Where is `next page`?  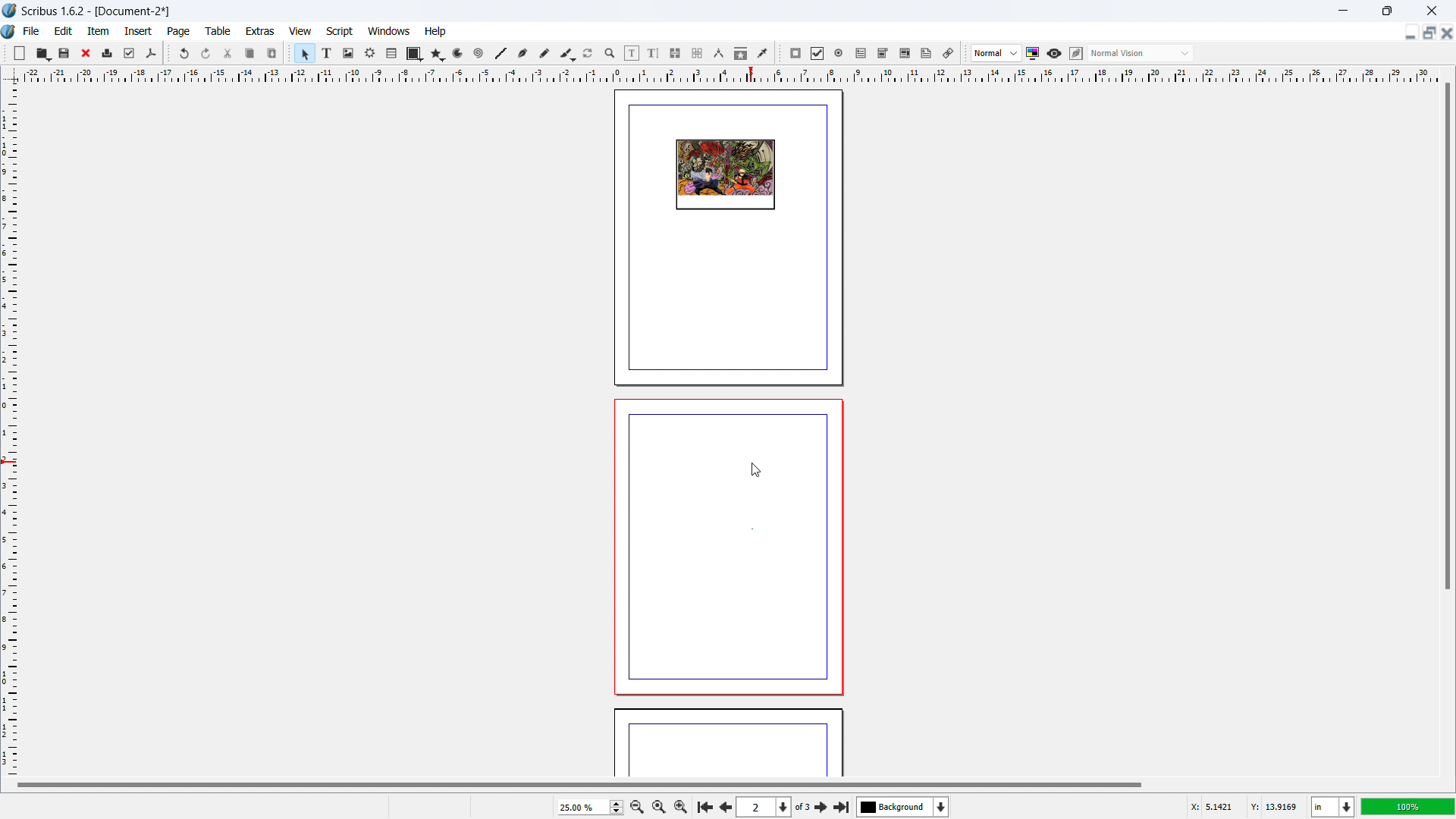
next page is located at coordinates (723, 805).